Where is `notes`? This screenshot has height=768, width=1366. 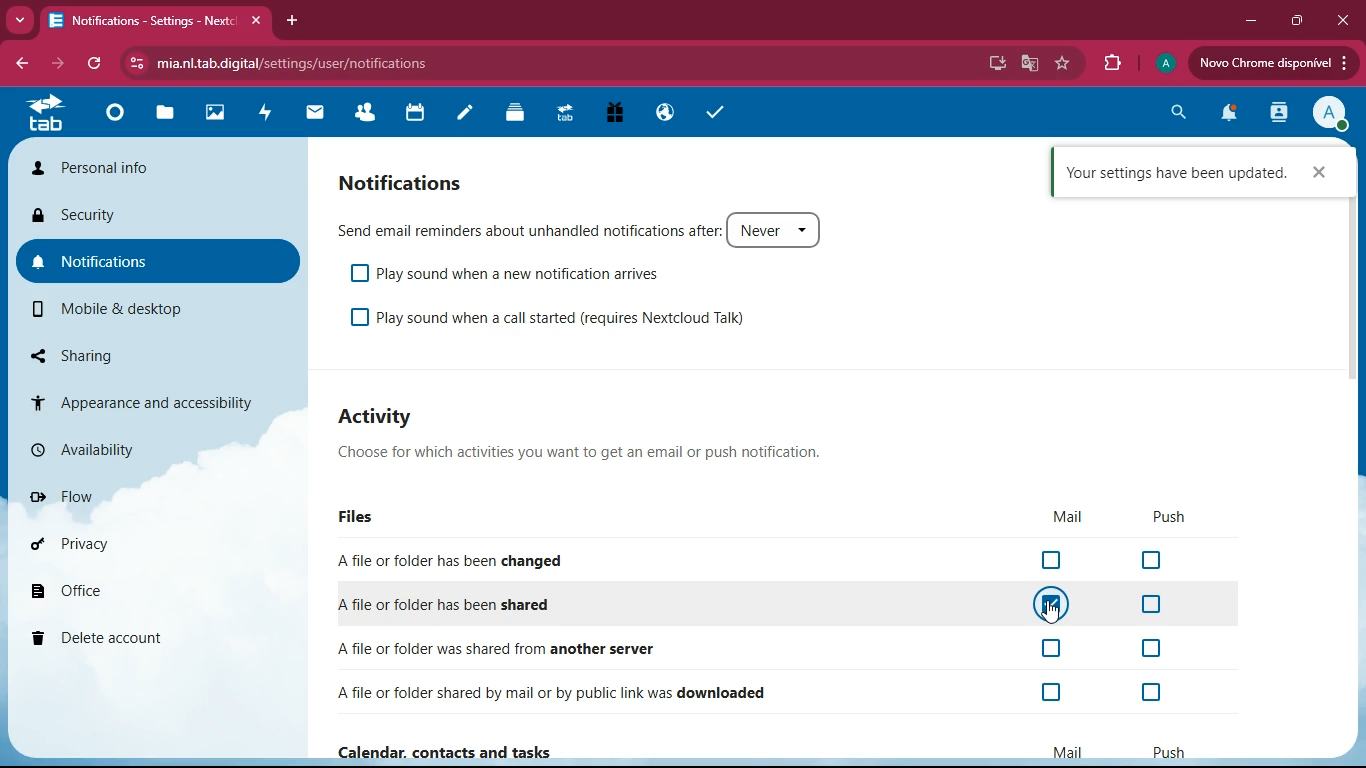
notes is located at coordinates (459, 115).